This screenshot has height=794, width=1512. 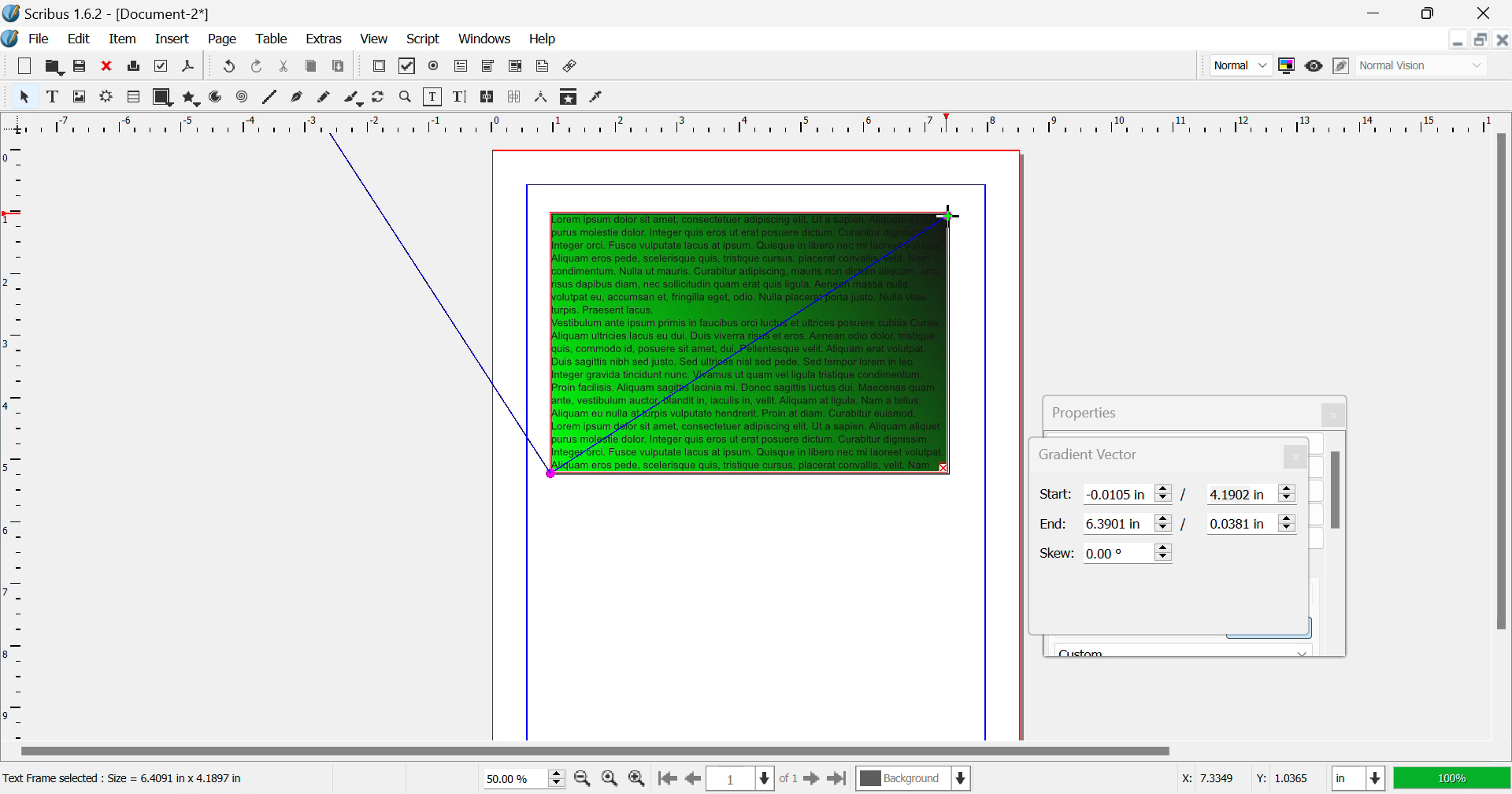 What do you see at coordinates (542, 68) in the screenshot?
I see `Text Annotation` at bounding box center [542, 68].